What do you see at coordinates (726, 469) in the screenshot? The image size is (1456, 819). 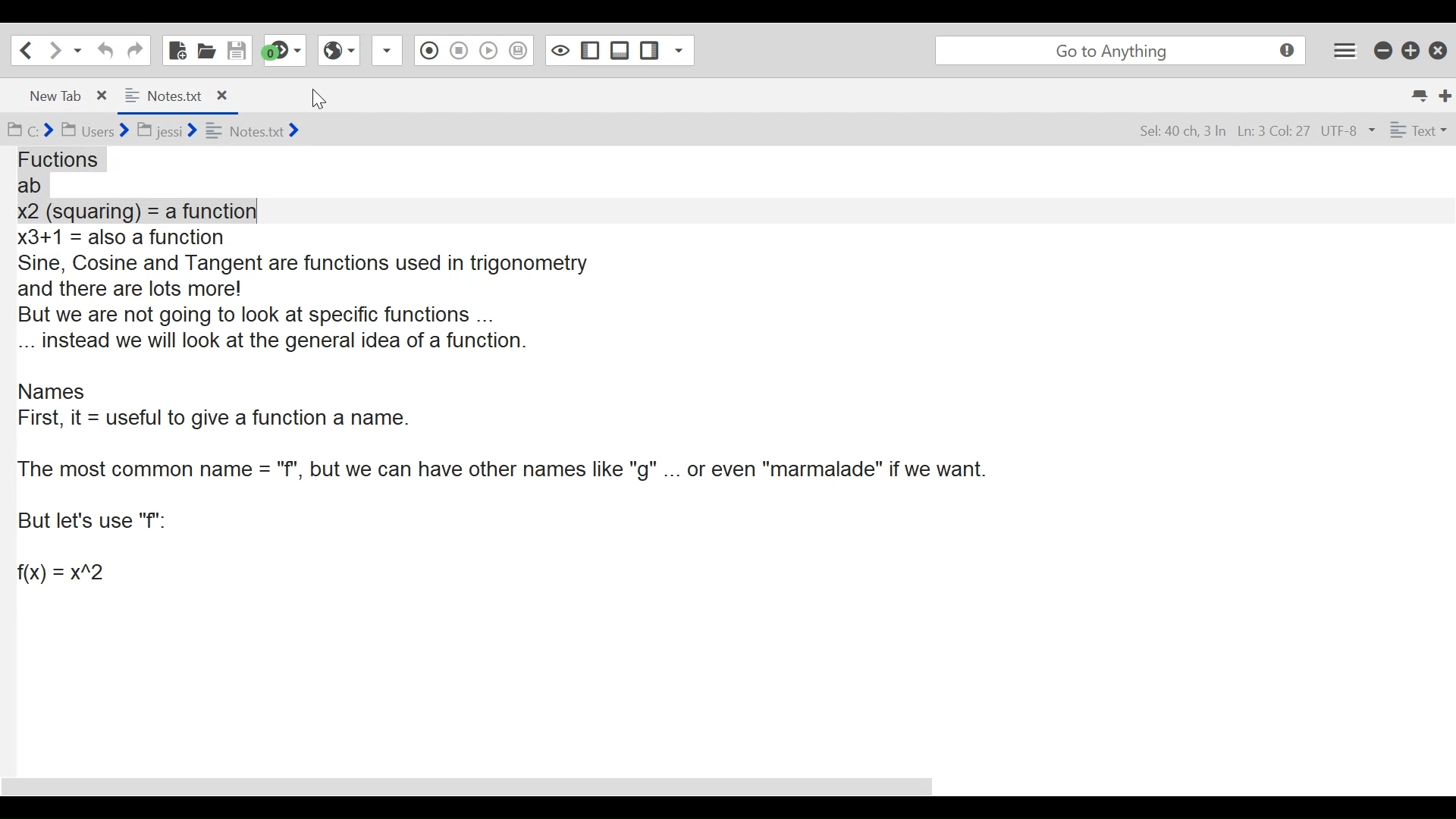 I see `Text Entry Pane` at bounding box center [726, 469].